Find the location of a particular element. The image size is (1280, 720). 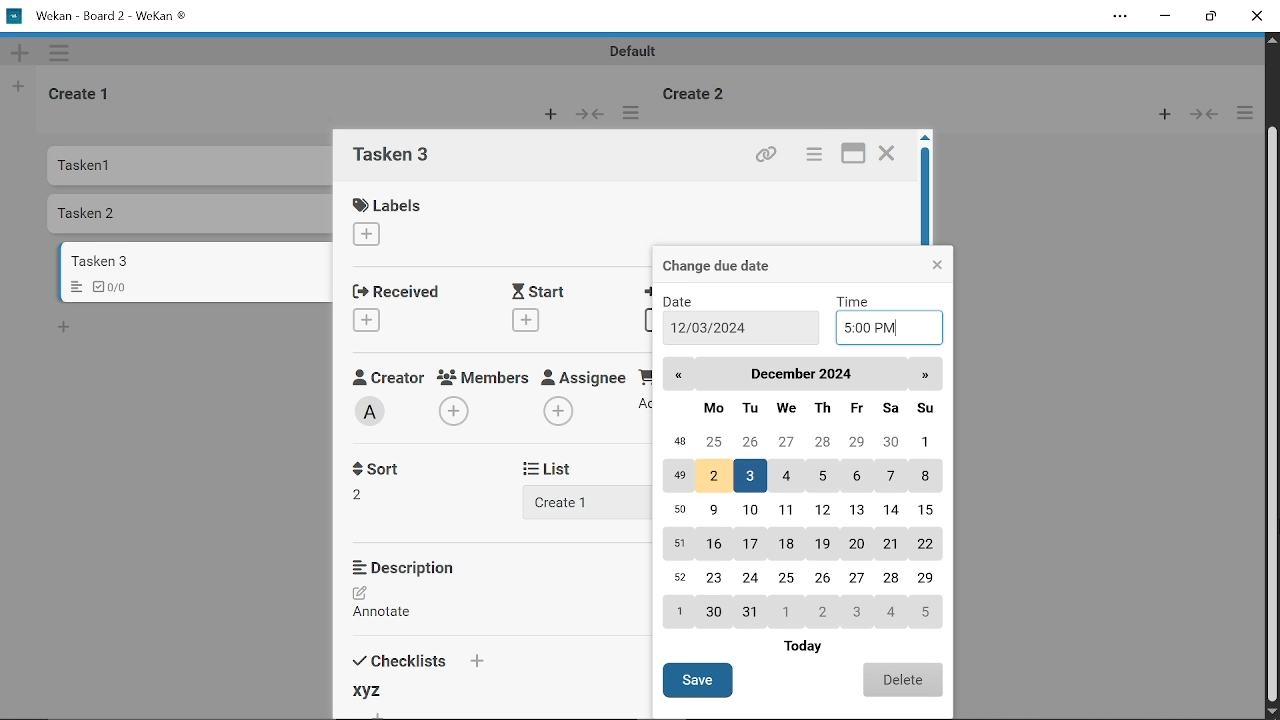

Add card bottom to the list is located at coordinates (63, 328).